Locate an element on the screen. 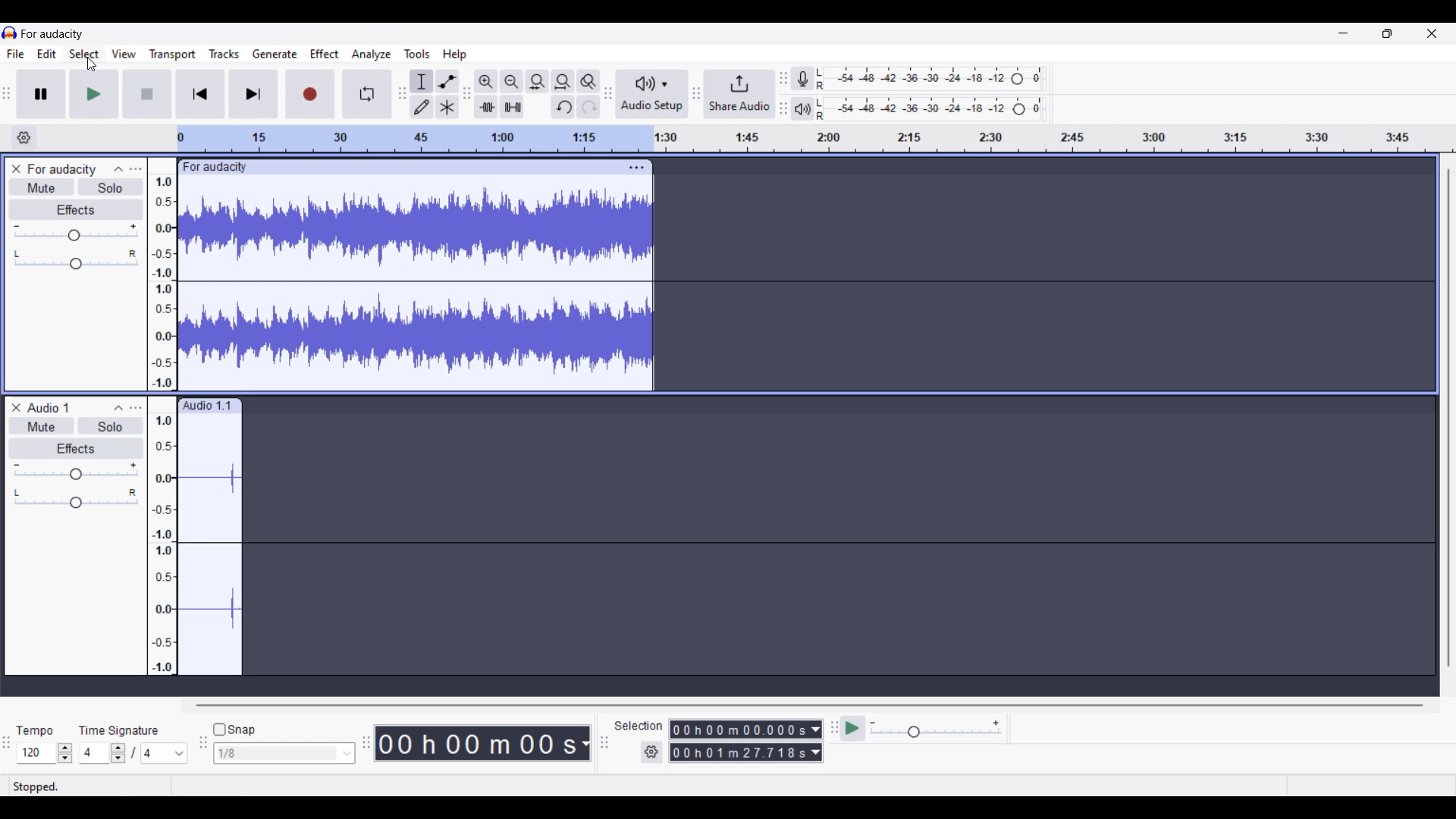 The height and width of the screenshot is (819, 1456). Zoom in is located at coordinates (485, 82).